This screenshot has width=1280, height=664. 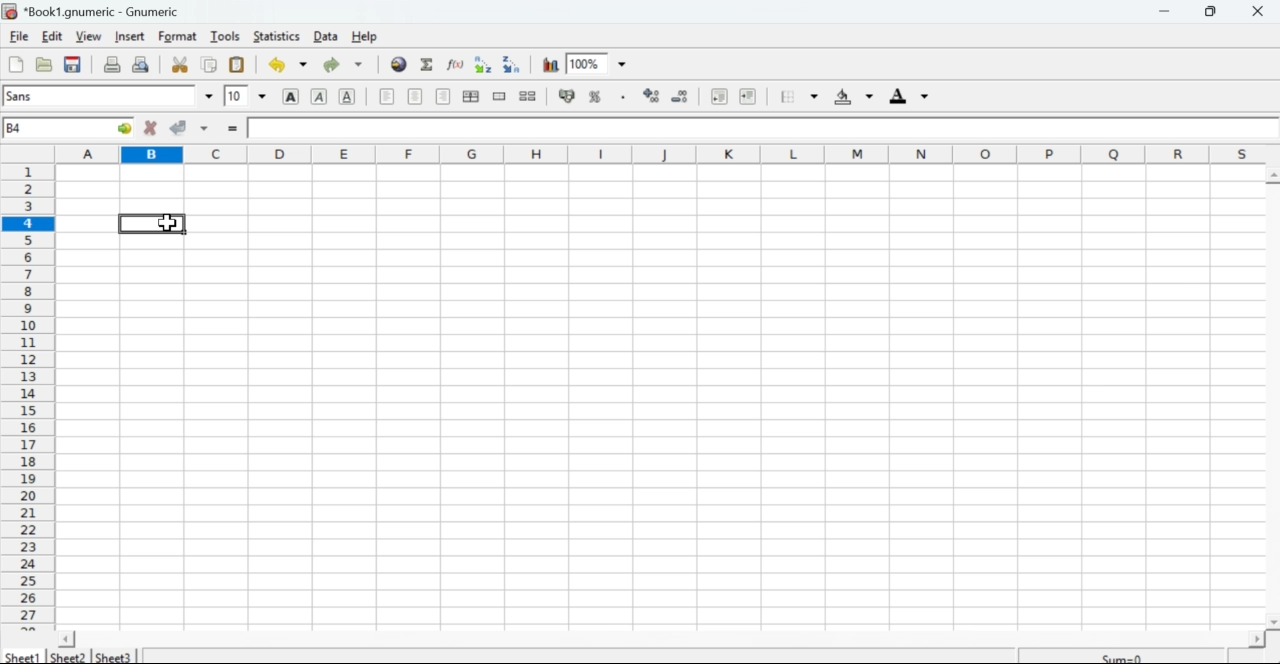 What do you see at coordinates (276, 65) in the screenshot?
I see `Undo` at bounding box center [276, 65].